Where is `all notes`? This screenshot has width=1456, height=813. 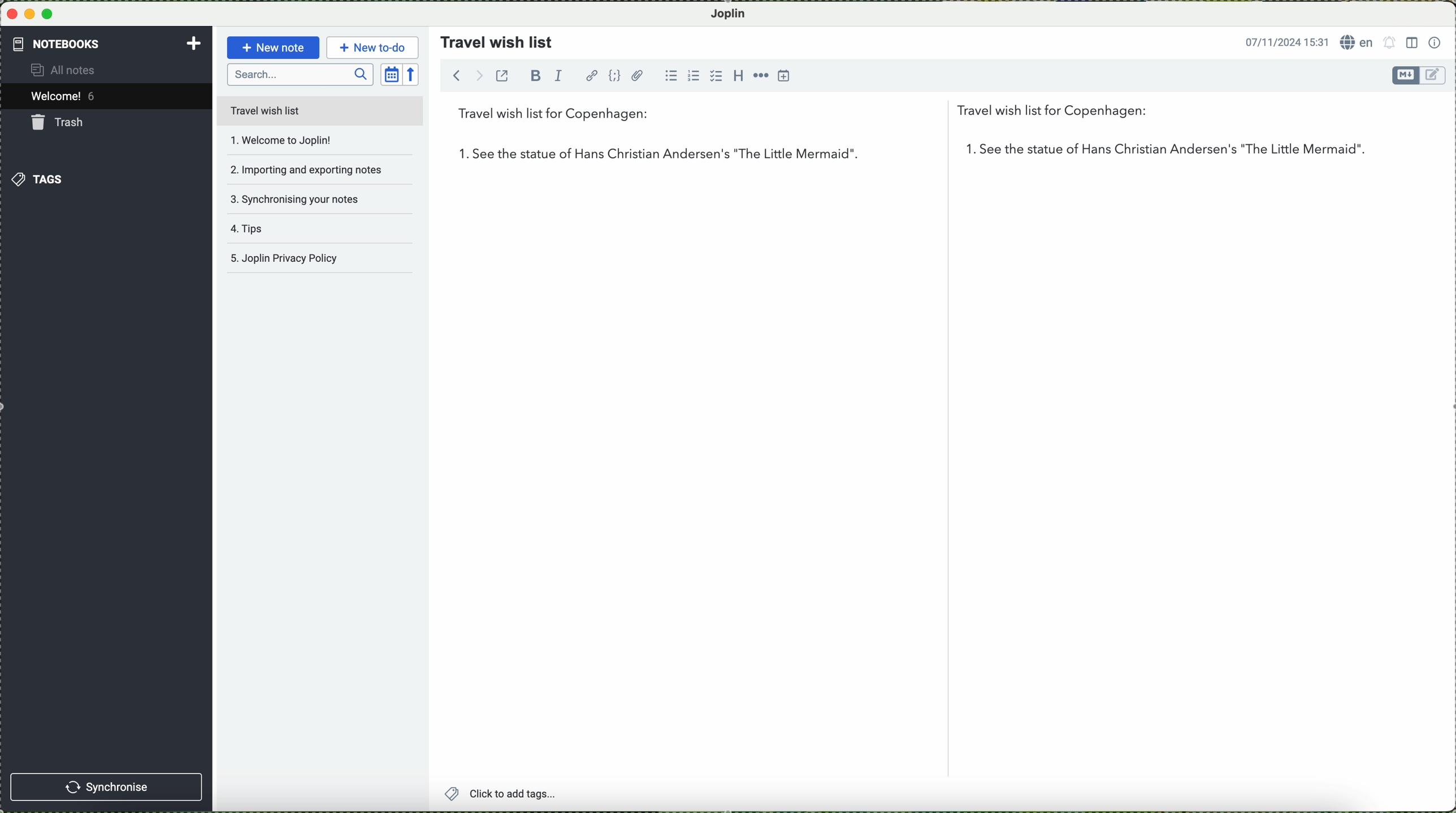 all notes is located at coordinates (73, 71).